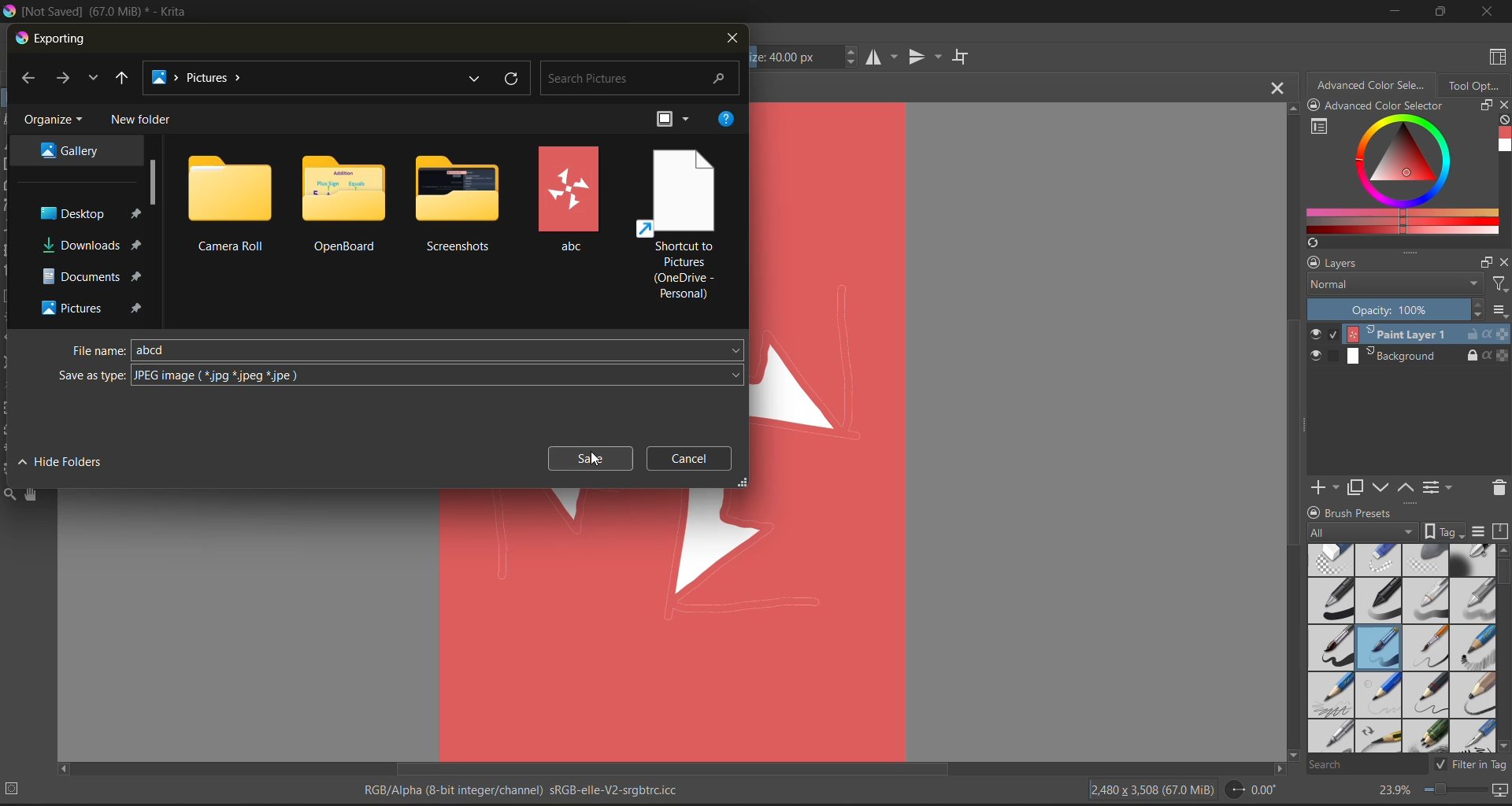 This screenshot has width=1512, height=806. I want to click on horizontal mirror tool, so click(884, 58).